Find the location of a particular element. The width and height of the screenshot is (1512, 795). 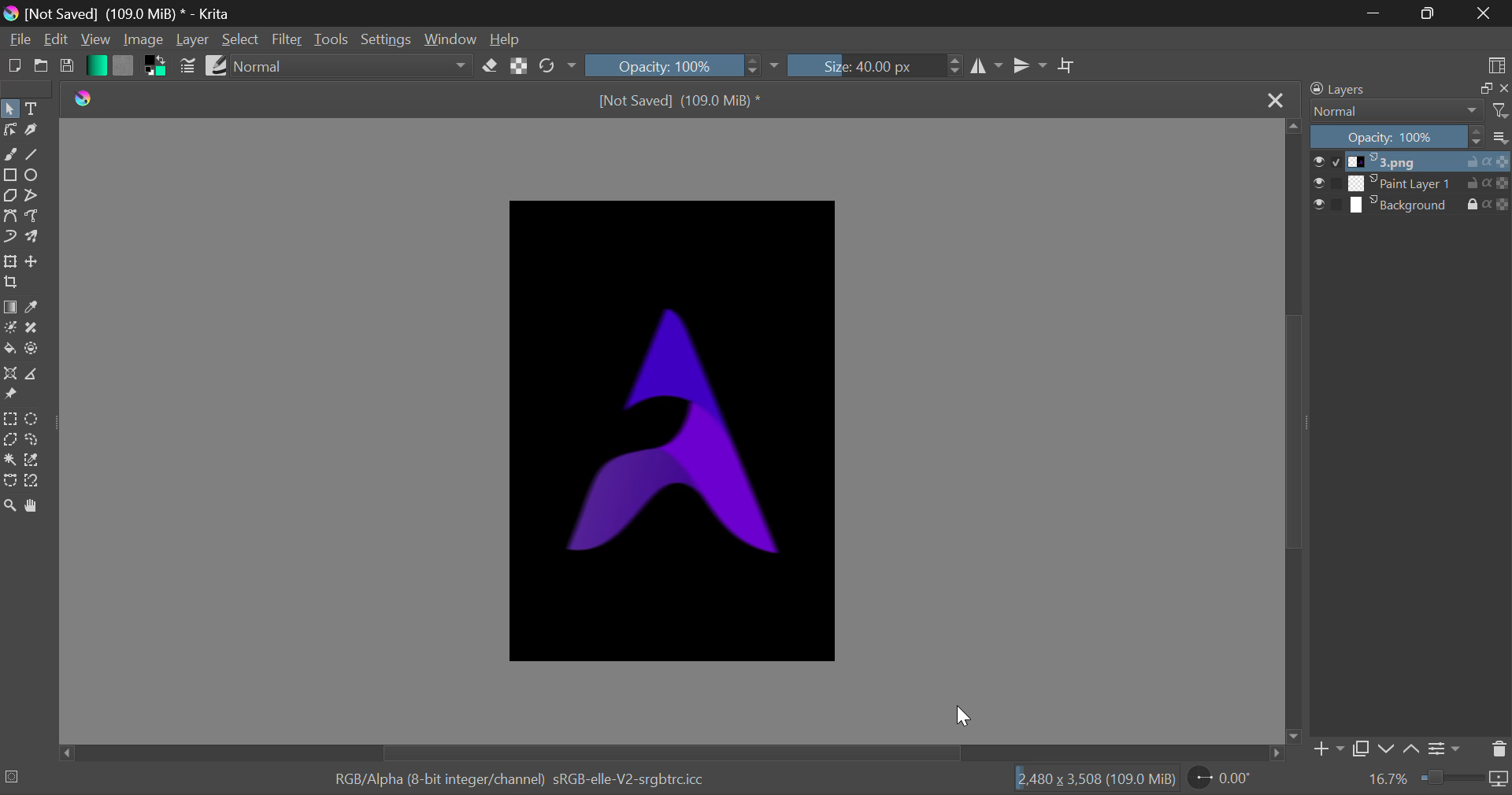

increase or decrease Brush Size is located at coordinates (955, 68).